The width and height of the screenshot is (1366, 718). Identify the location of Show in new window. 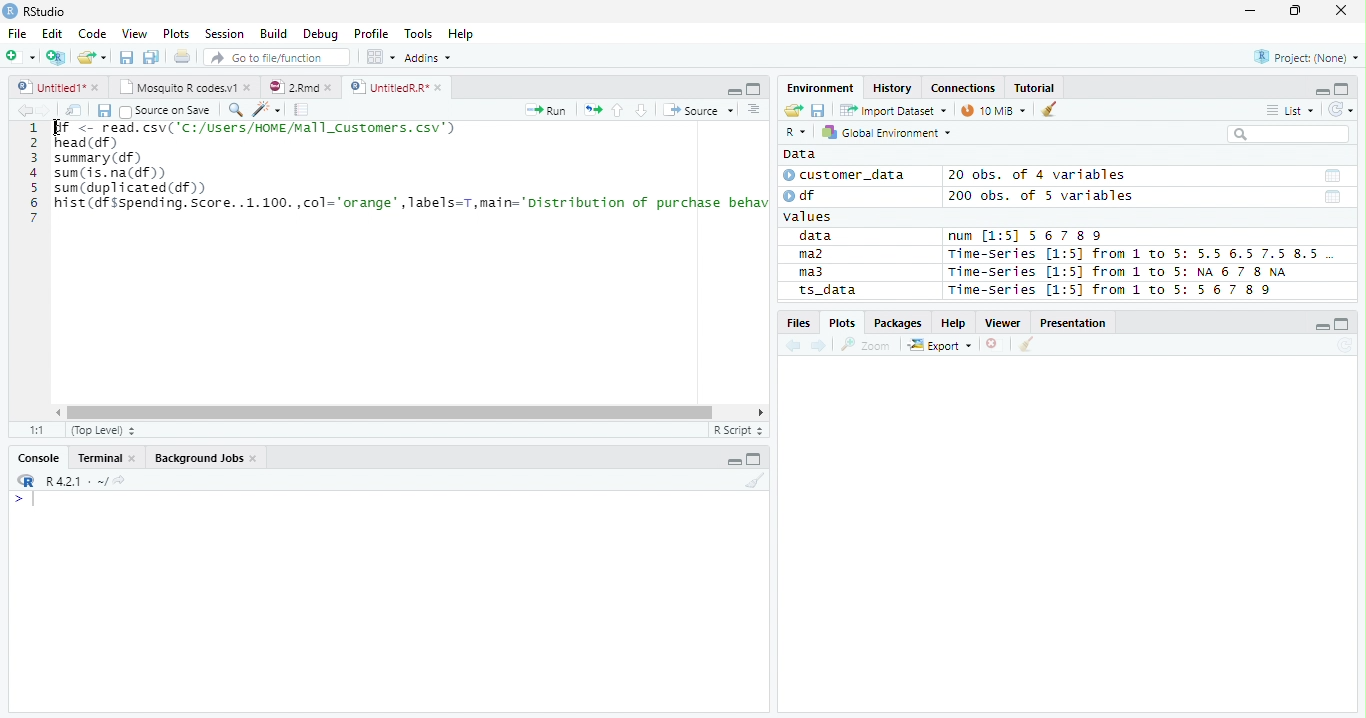
(75, 110).